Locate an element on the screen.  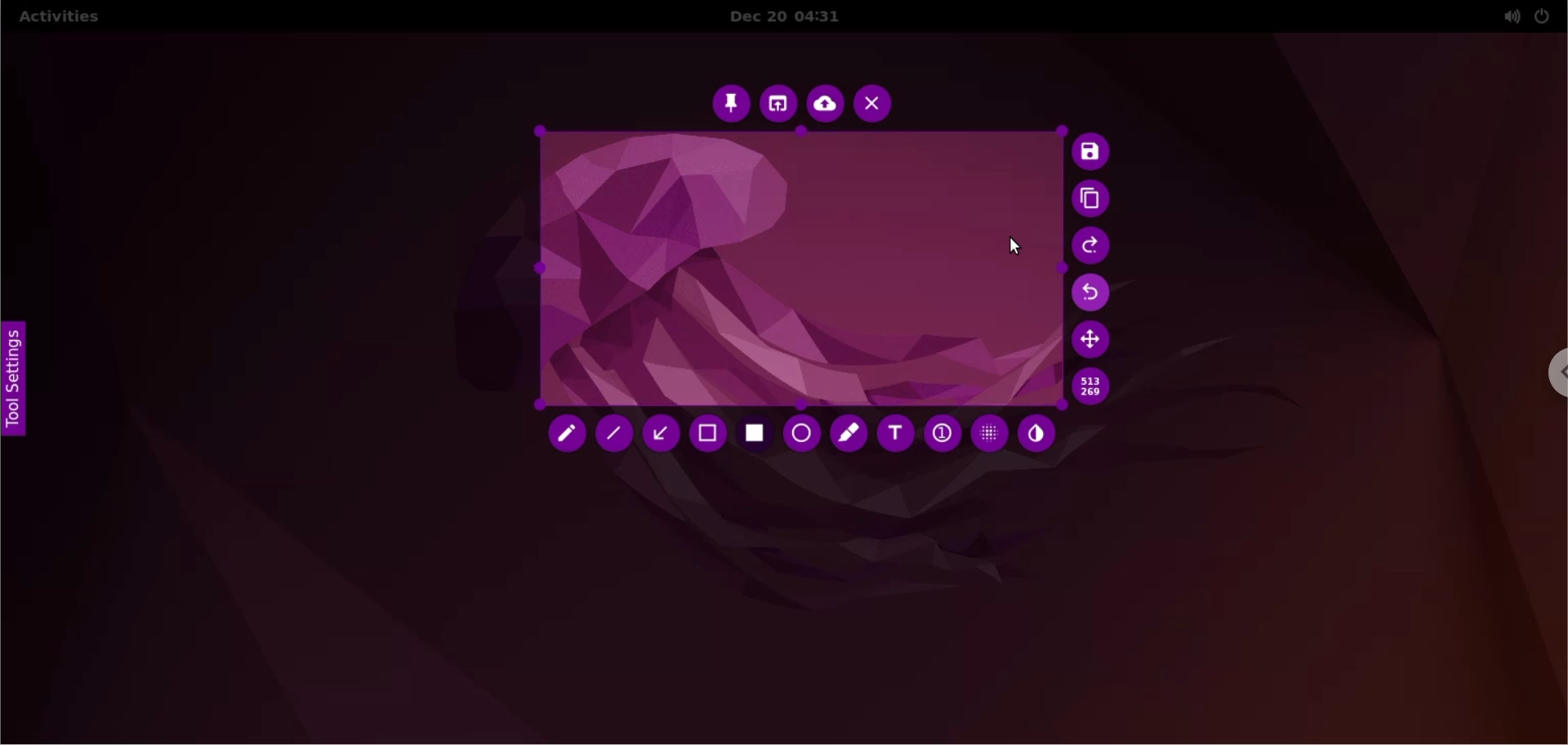
arrow tool is located at coordinates (659, 437).